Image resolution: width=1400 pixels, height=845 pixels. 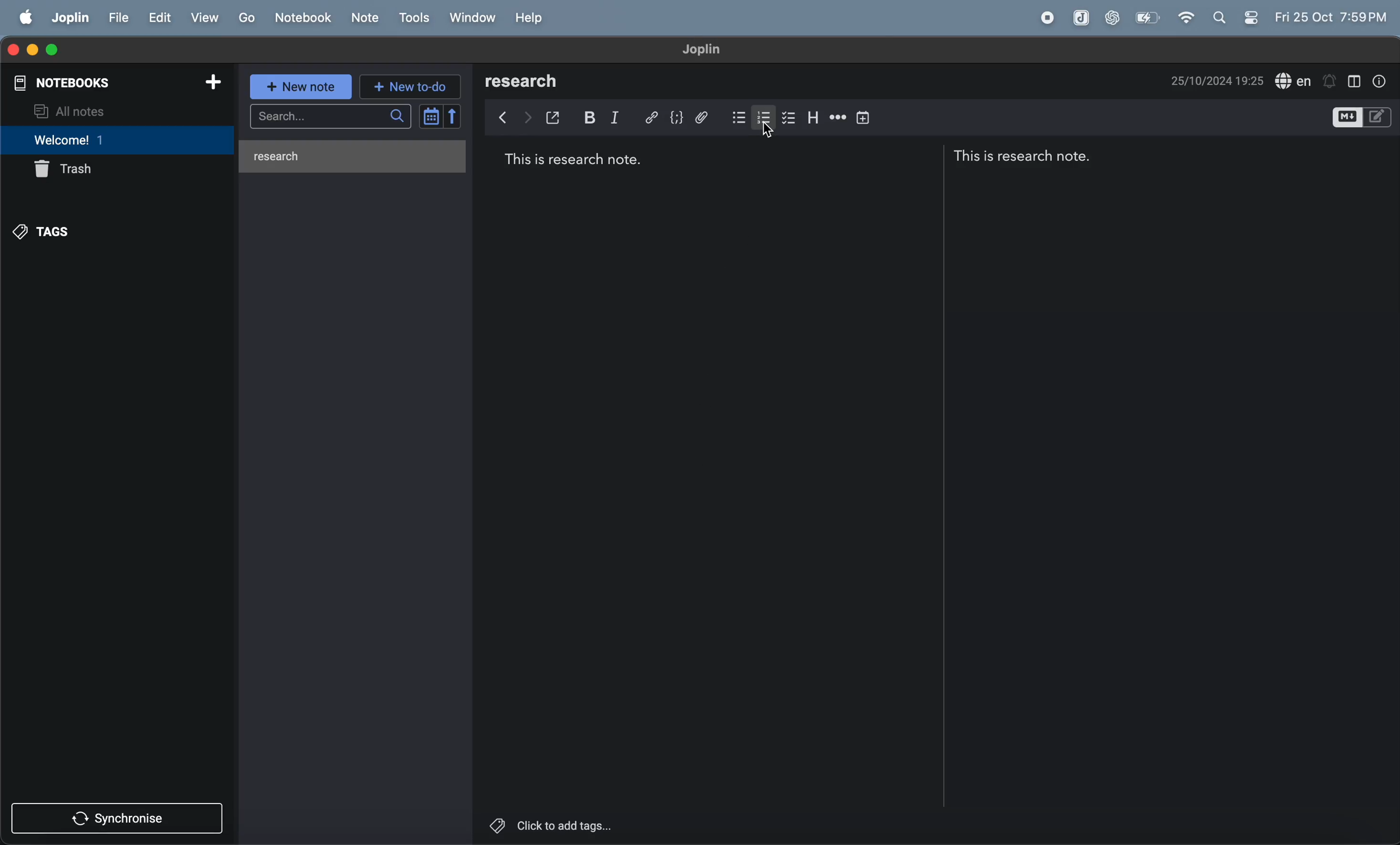 I want to click on italic, so click(x=620, y=118).